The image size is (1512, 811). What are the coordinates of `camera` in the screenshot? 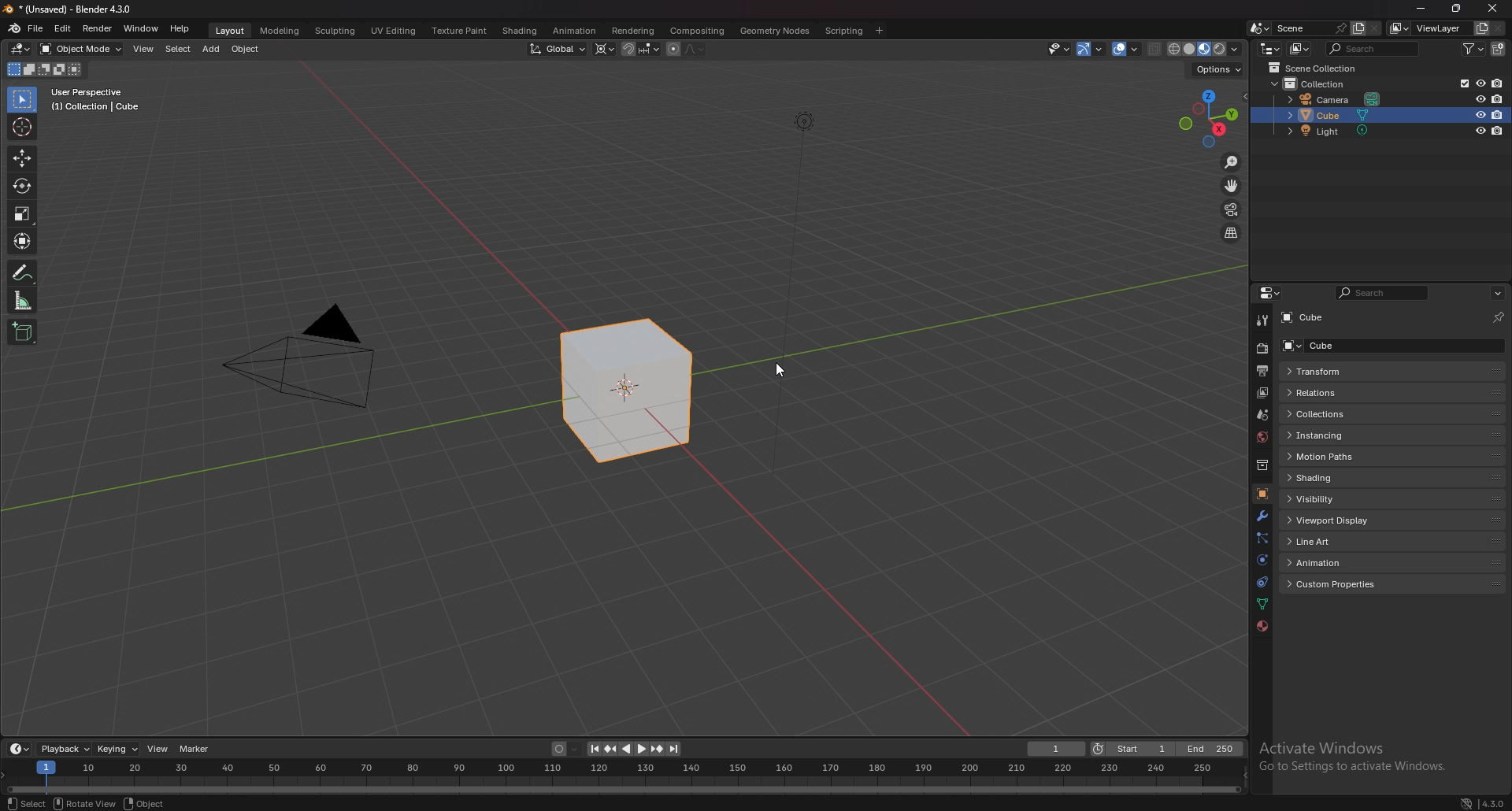 It's located at (1332, 99).